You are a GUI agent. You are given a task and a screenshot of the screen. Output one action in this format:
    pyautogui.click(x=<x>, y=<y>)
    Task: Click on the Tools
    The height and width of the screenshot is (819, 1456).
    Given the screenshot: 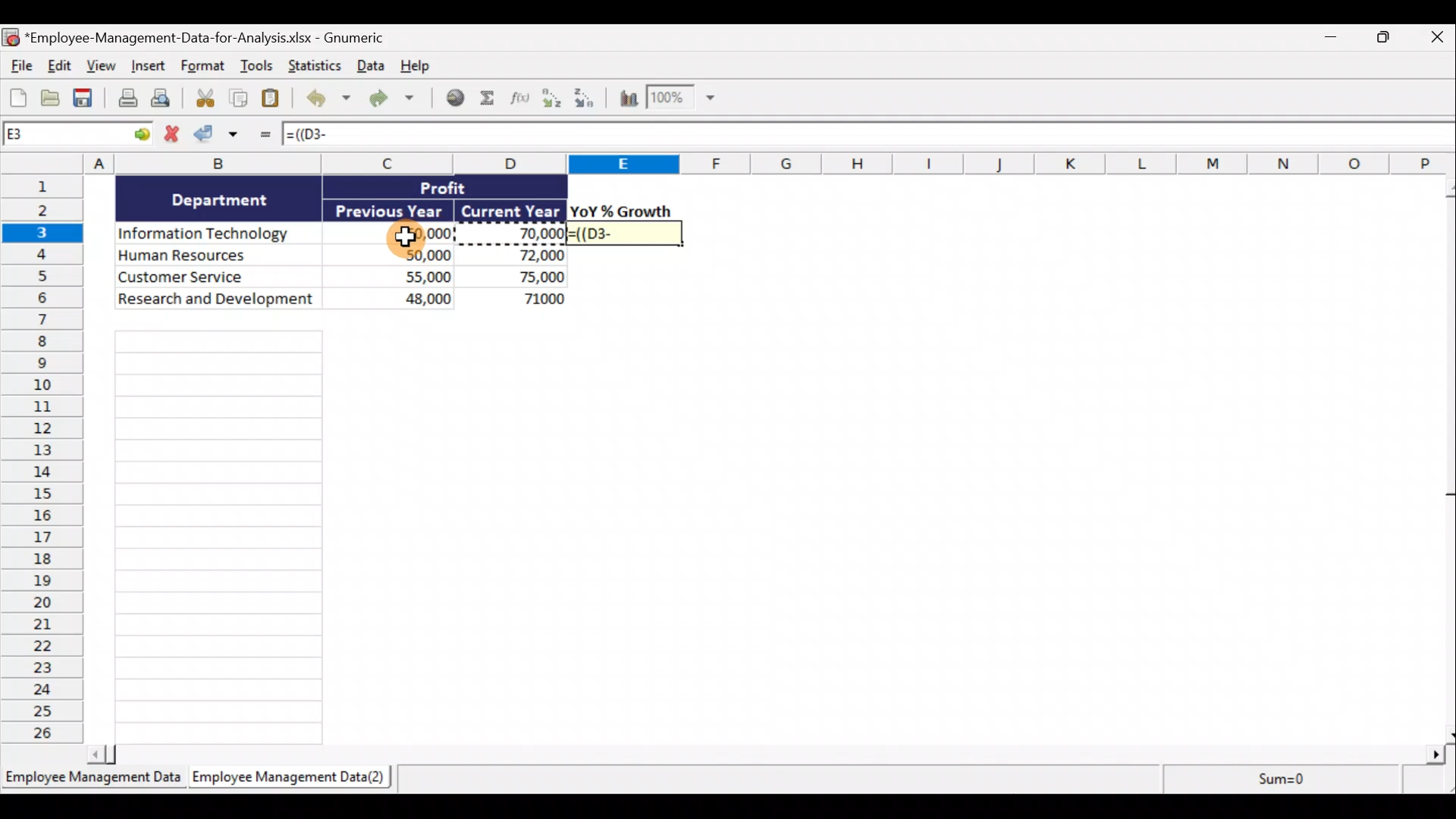 What is the action you would take?
    pyautogui.click(x=259, y=68)
    